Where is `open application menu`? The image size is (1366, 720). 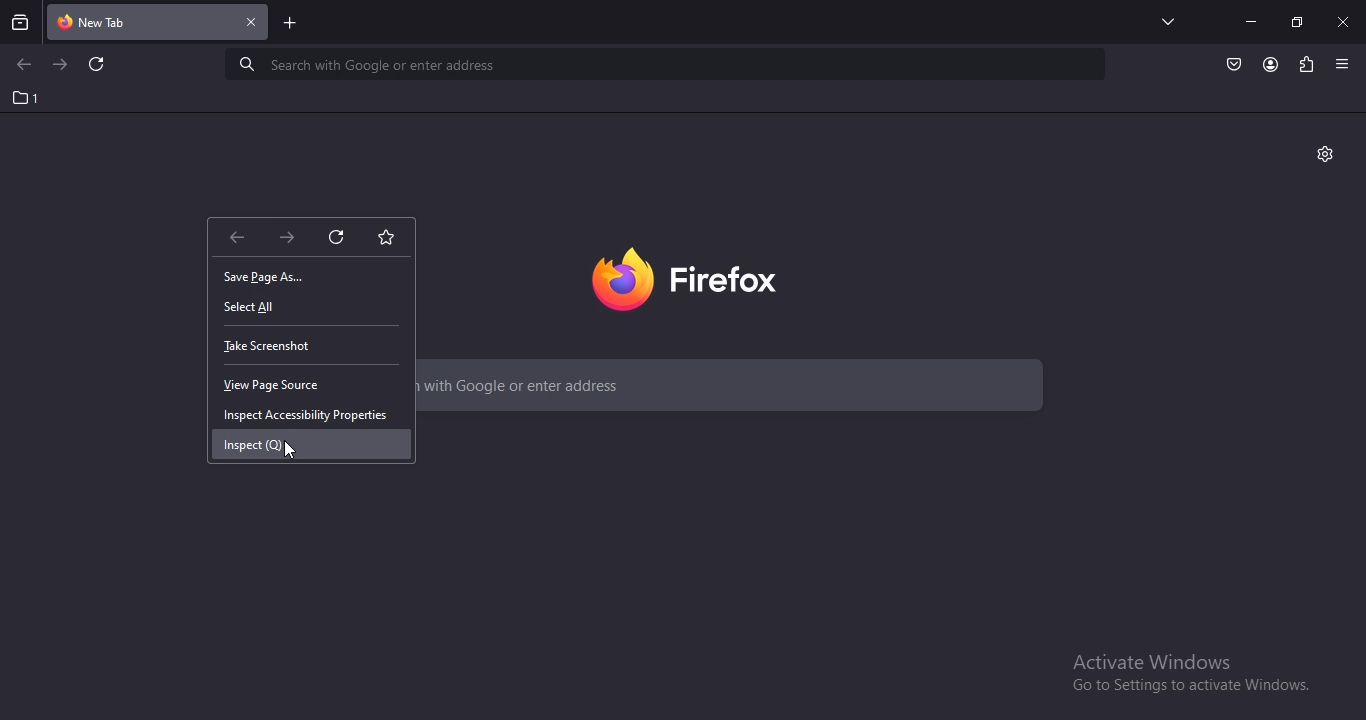 open application menu is located at coordinates (1345, 64).